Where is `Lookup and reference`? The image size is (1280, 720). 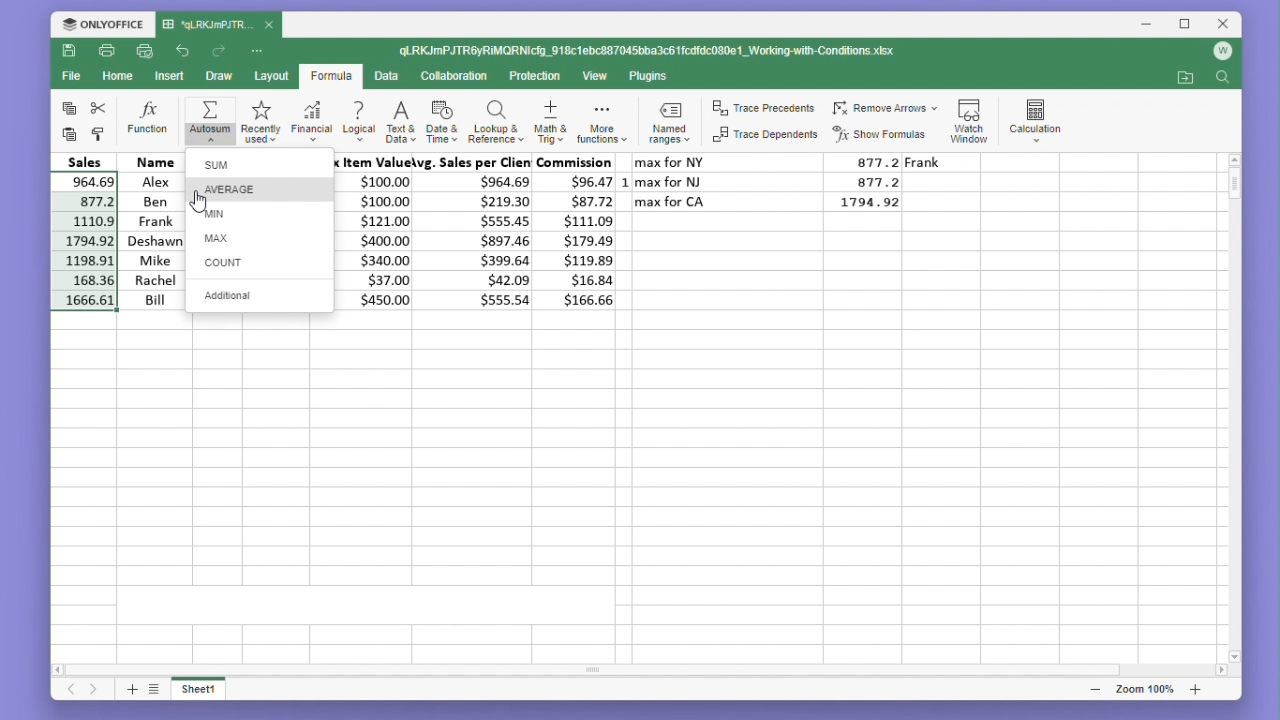
Lookup and reference is located at coordinates (496, 120).